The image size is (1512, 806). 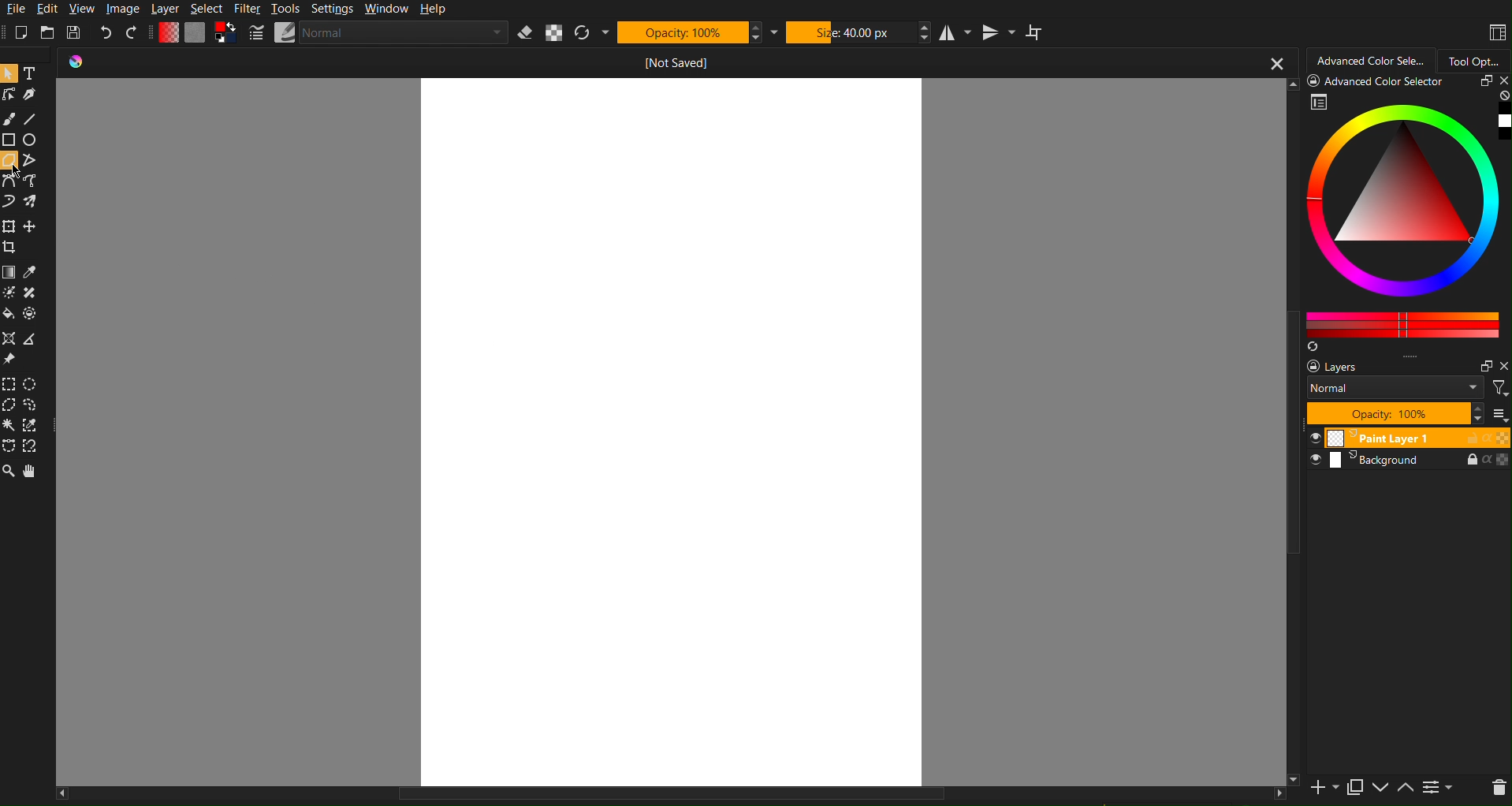 What do you see at coordinates (32, 384) in the screenshot?
I see `elliptical Selection Tools` at bounding box center [32, 384].